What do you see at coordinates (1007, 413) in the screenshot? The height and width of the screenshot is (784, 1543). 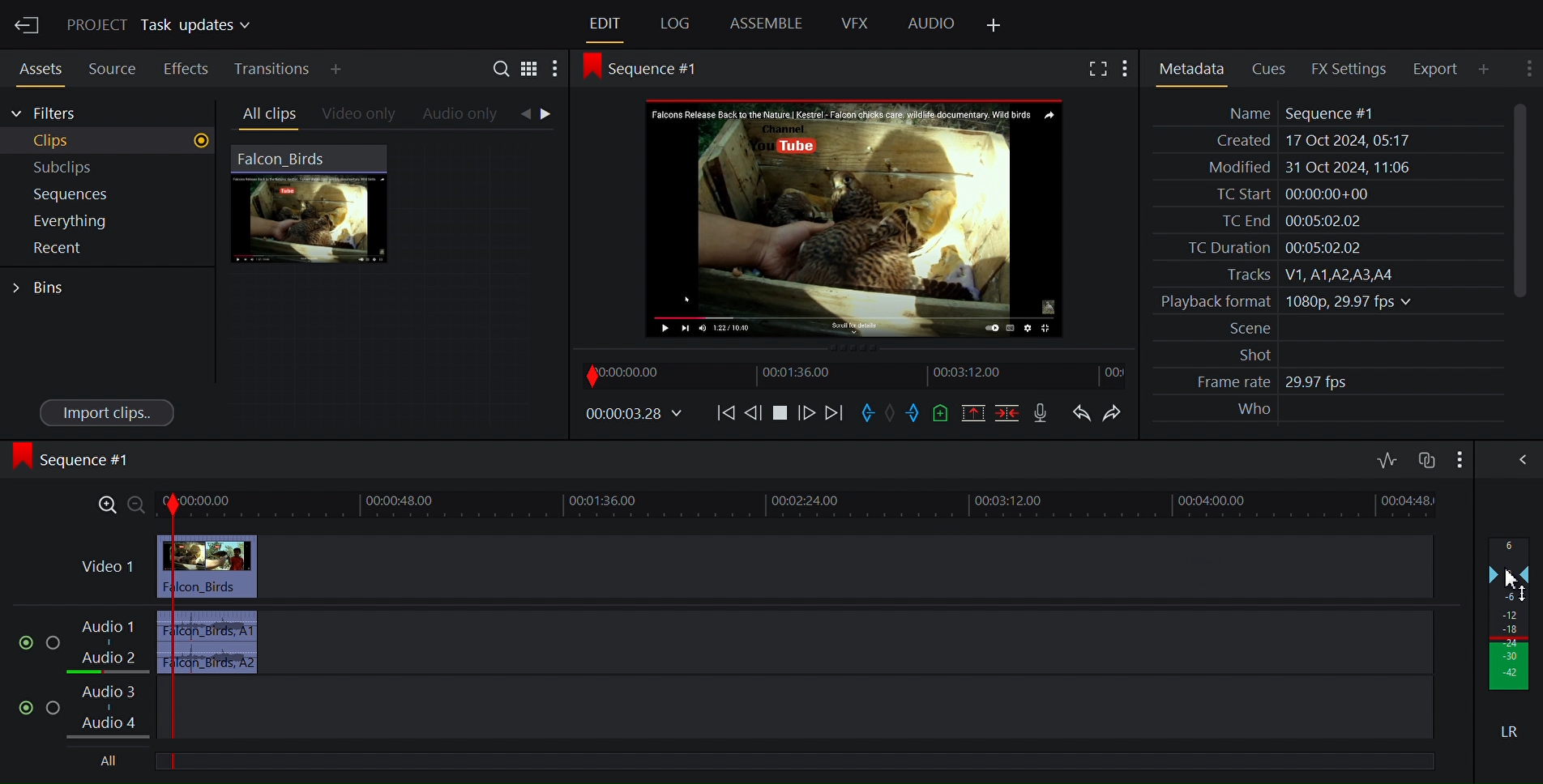 I see `Delete/cut` at bounding box center [1007, 413].